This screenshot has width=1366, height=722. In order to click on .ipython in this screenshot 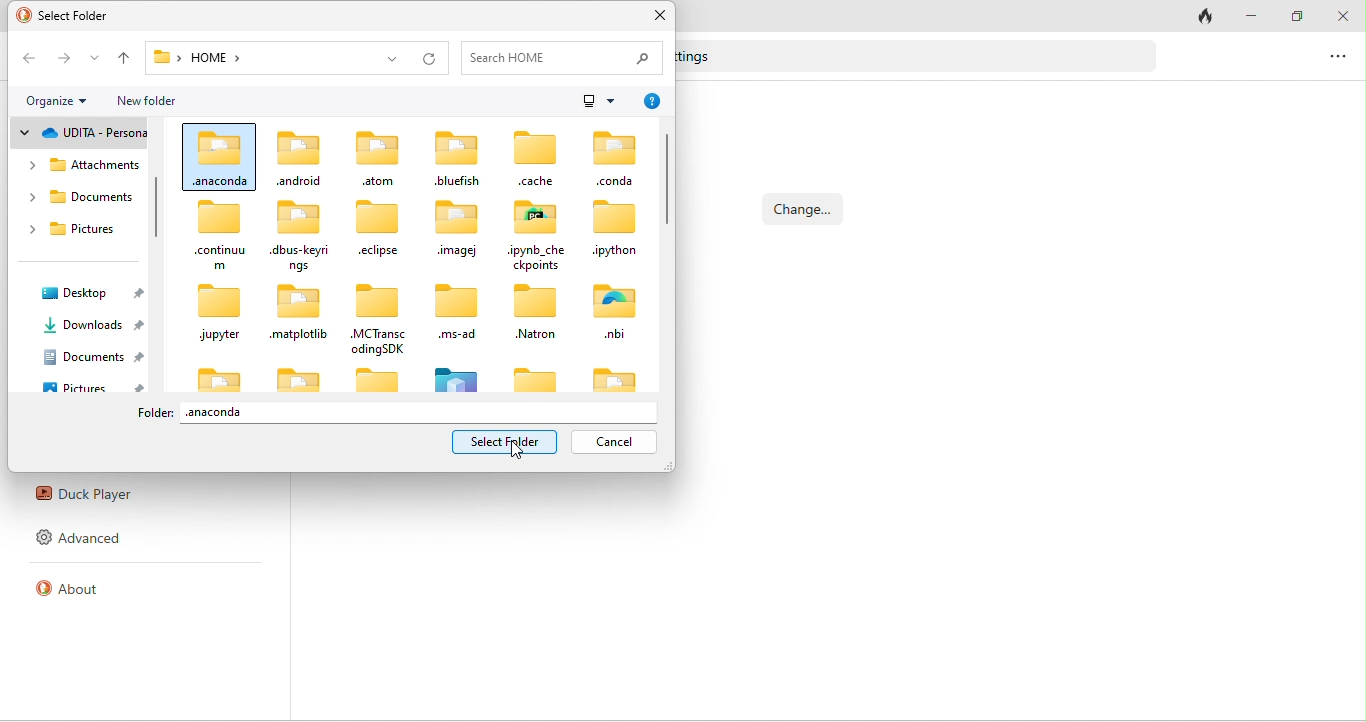, I will do `click(617, 229)`.